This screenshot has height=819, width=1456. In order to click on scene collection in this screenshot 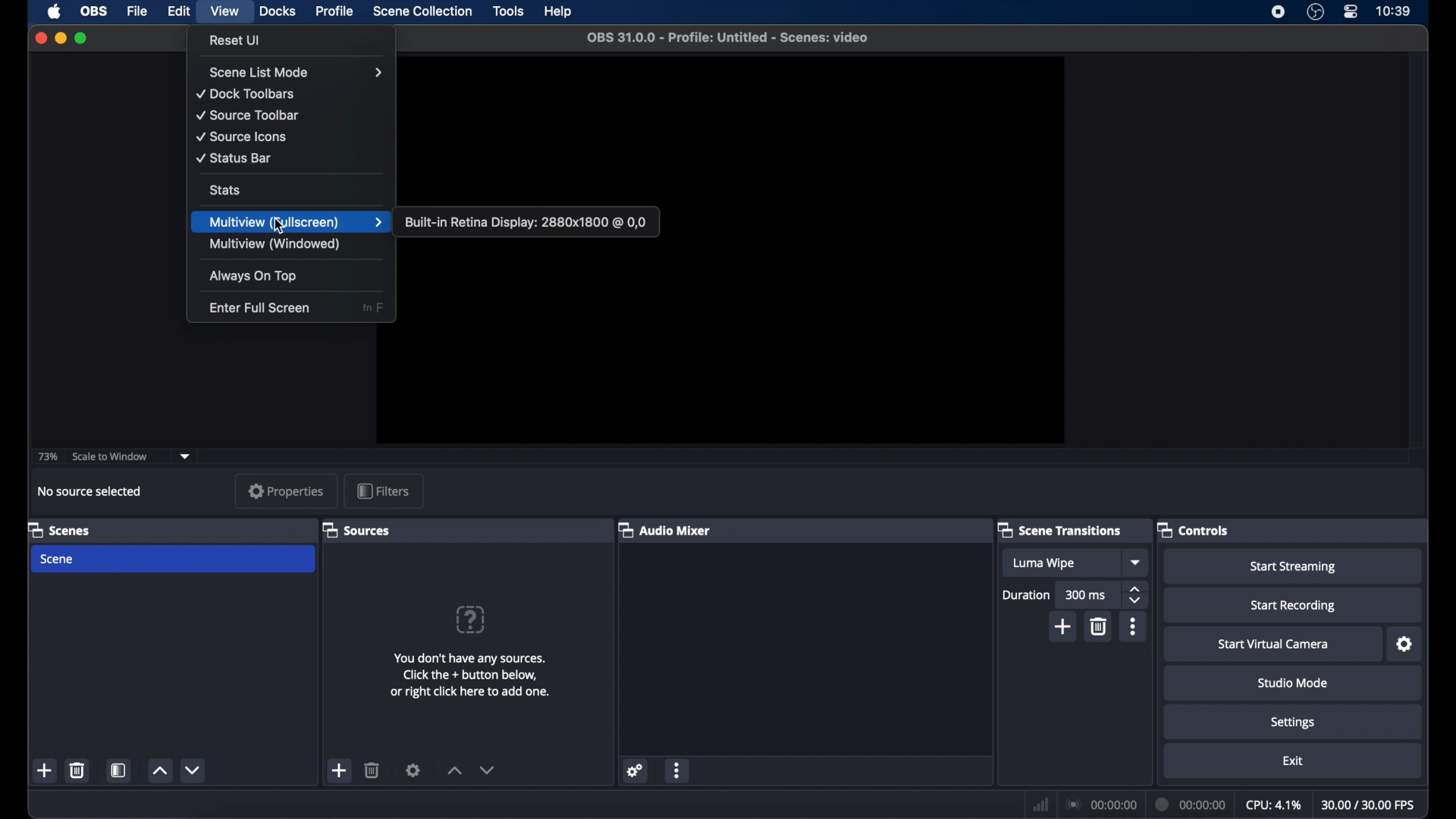, I will do `click(424, 11)`.